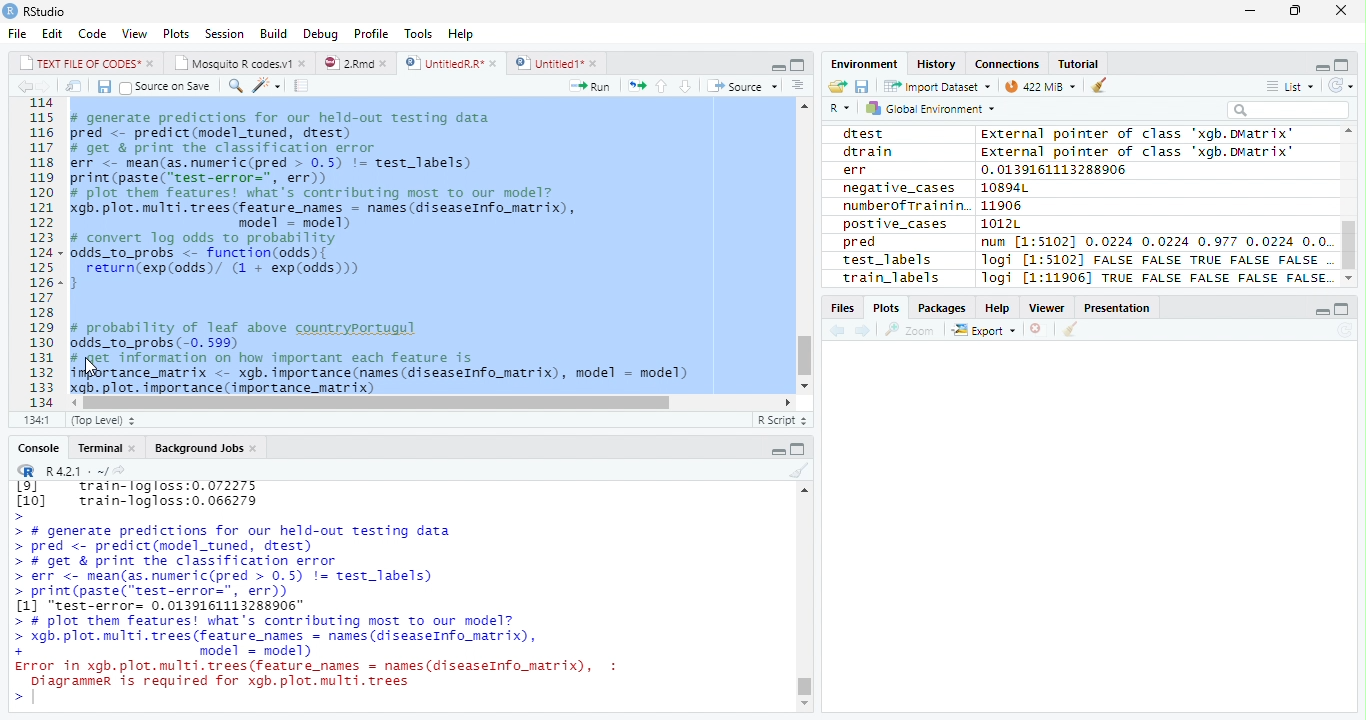 The width and height of the screenshot is (1366, 720). I want to click on Show in new window, so click(70, 86).